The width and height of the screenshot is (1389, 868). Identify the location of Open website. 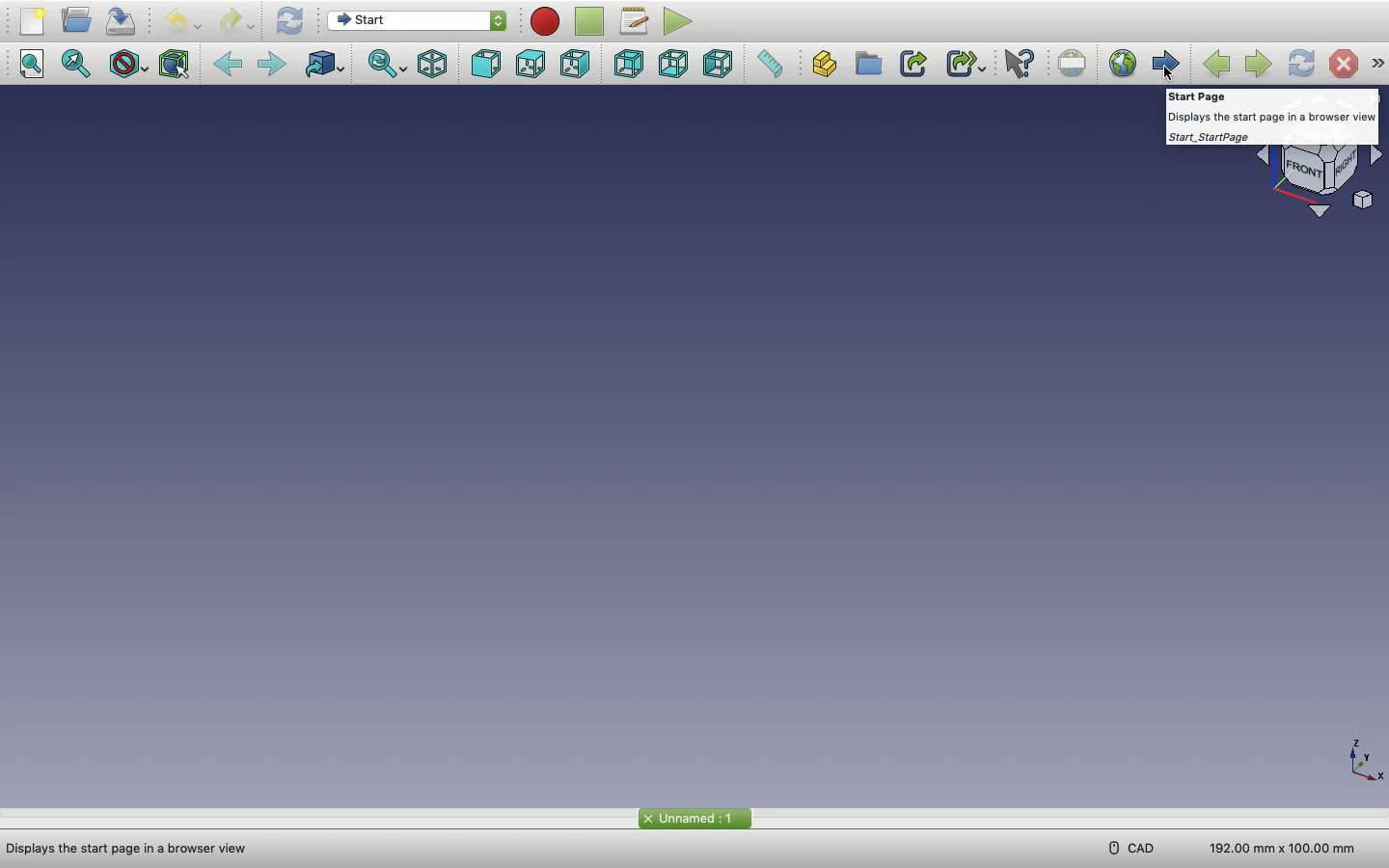
(1122, 64).